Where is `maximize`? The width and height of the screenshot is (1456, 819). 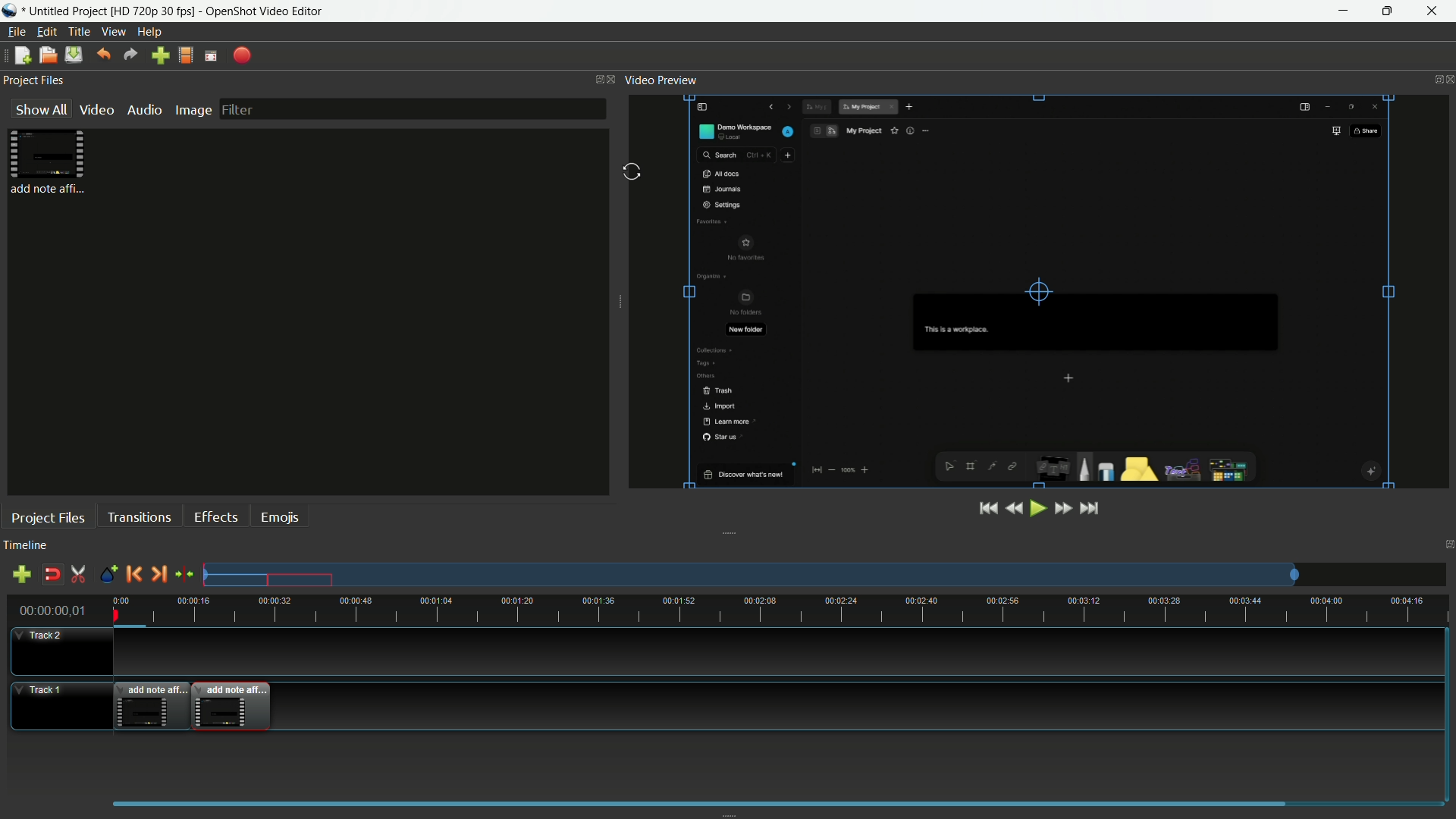
maximize is located at coordinates (1388, 11).